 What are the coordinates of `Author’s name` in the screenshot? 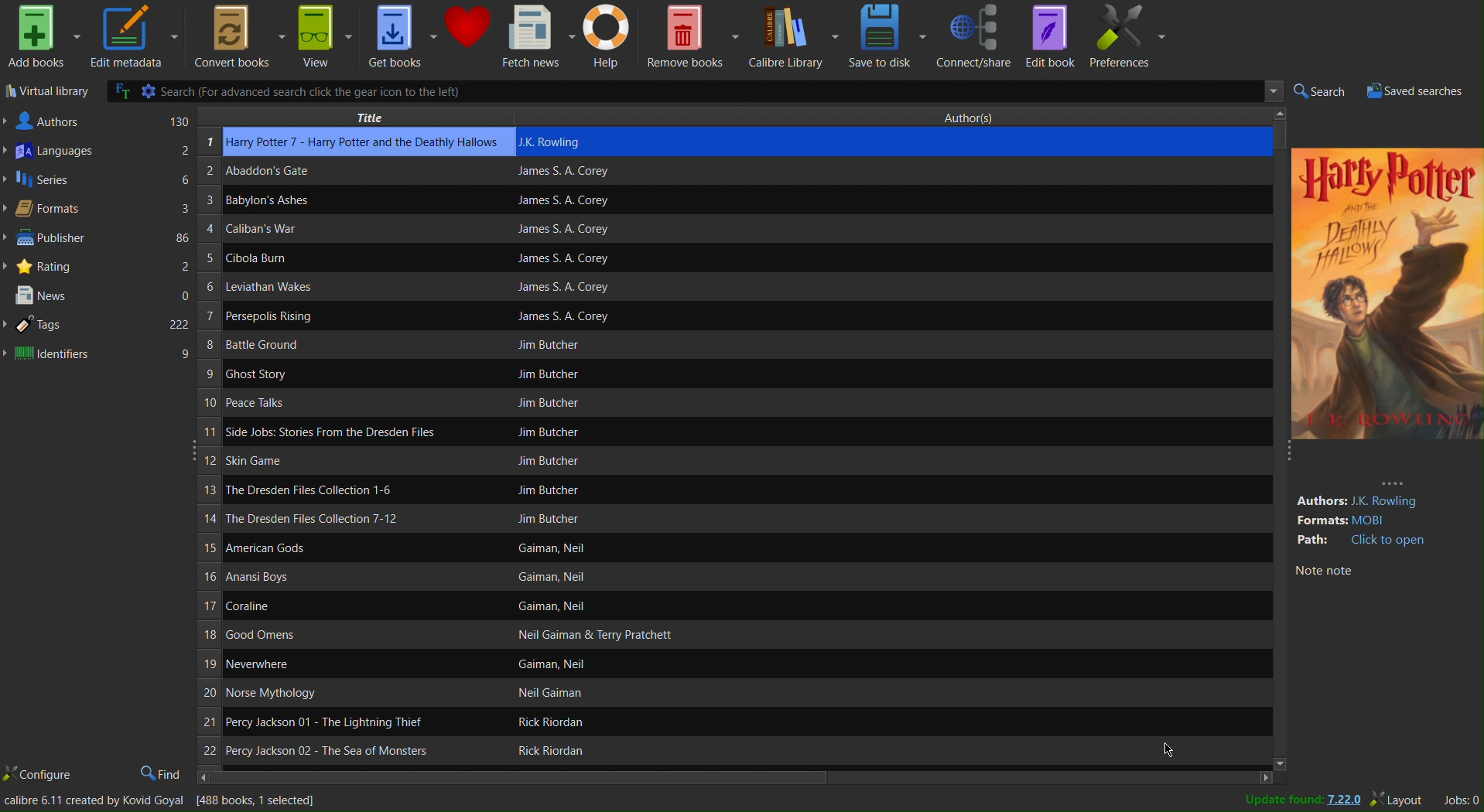 It's located at (753, 258).